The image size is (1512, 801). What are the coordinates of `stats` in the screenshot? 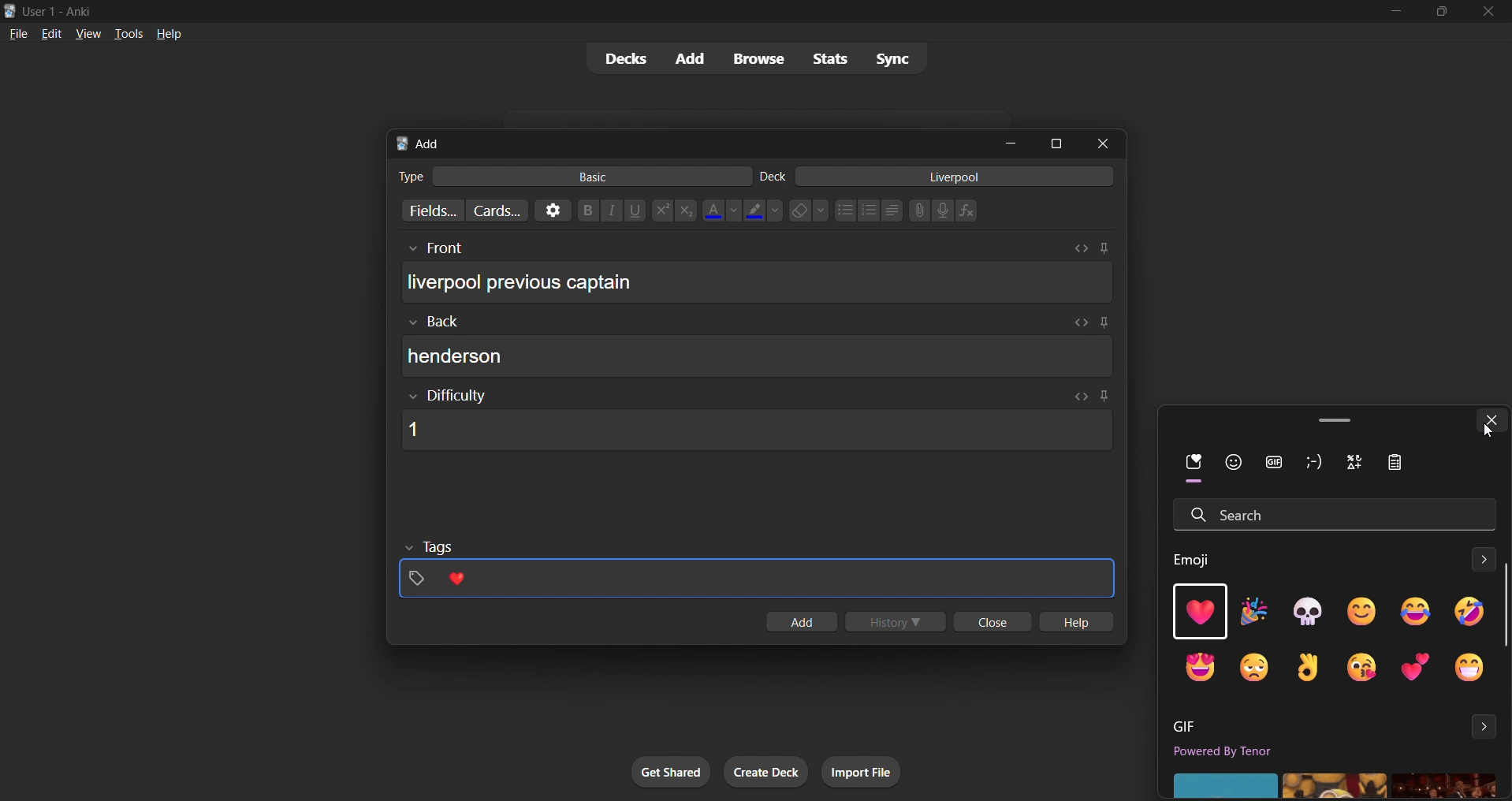 It's located at (832, 59).